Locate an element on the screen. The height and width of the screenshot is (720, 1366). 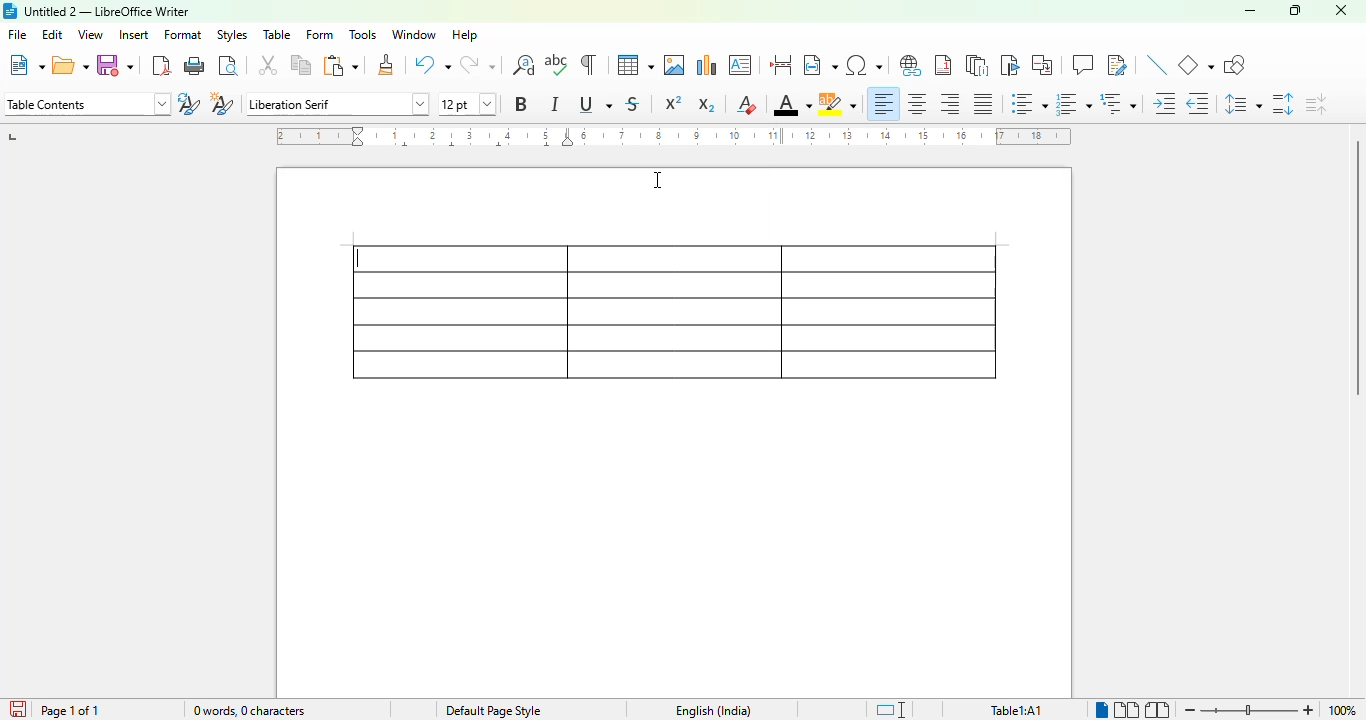
toggle unordered list is located at coordinates (1029, 103).